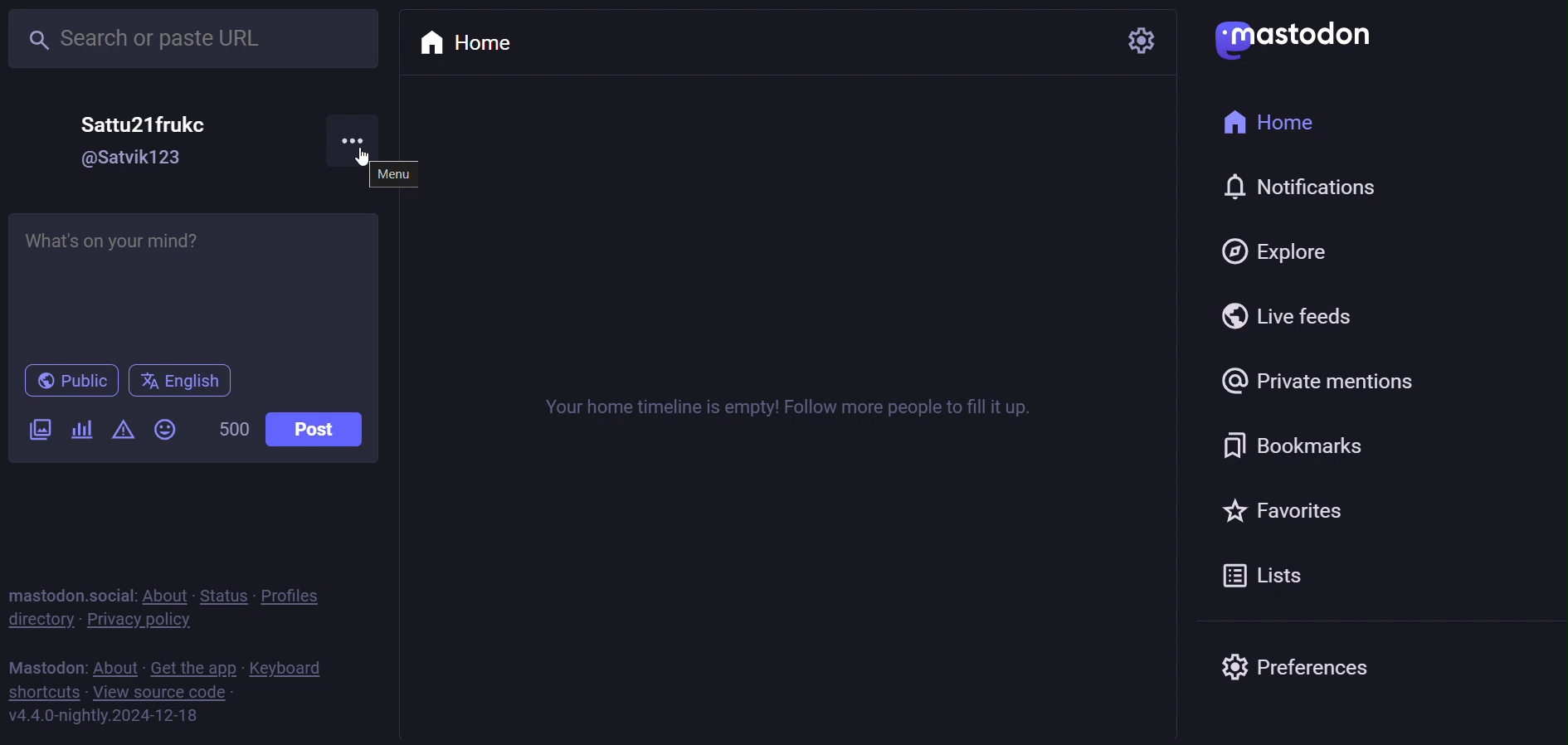  I want to click on Sattu21frukc, so click(146, 124).